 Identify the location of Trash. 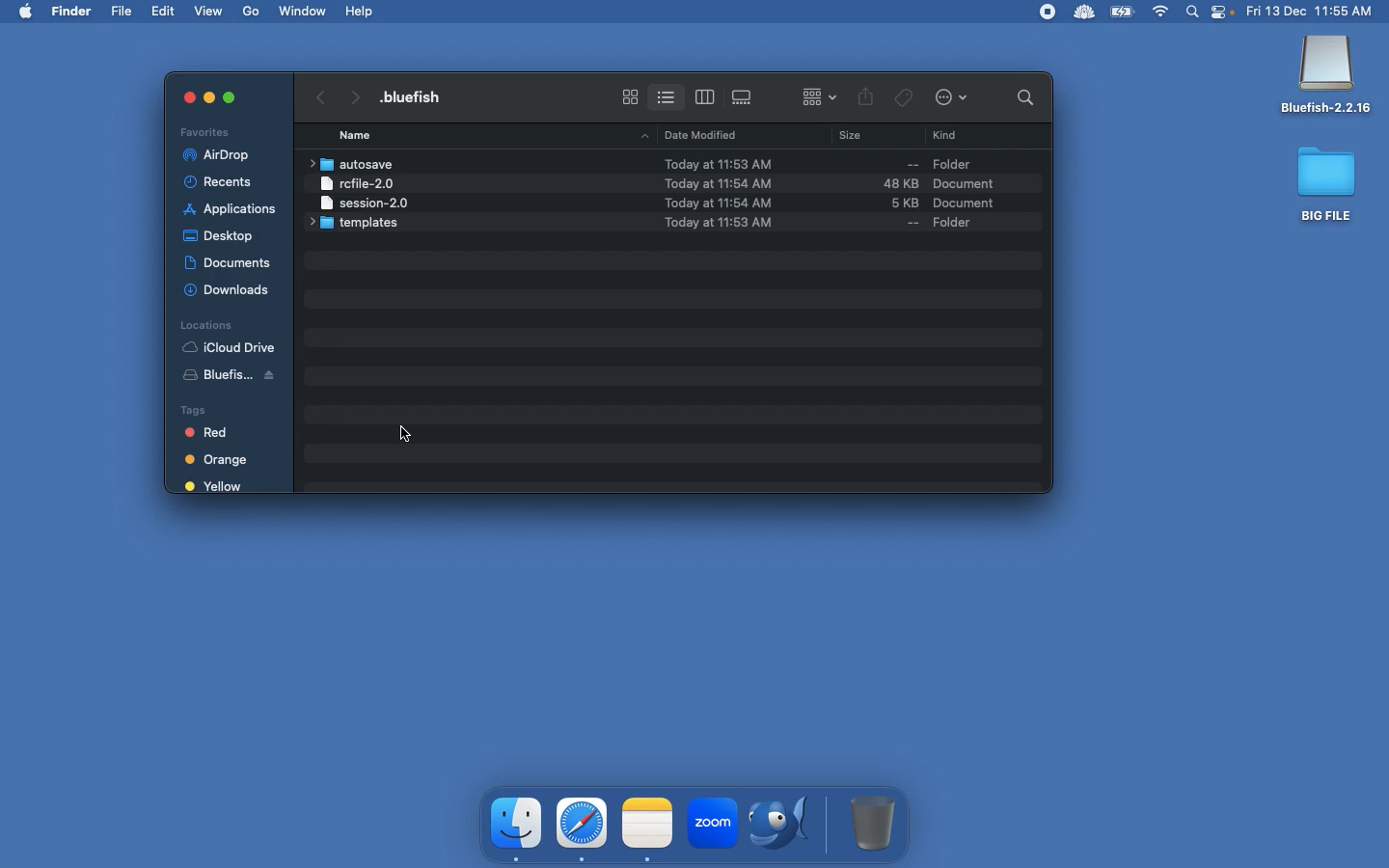
(874, 823).